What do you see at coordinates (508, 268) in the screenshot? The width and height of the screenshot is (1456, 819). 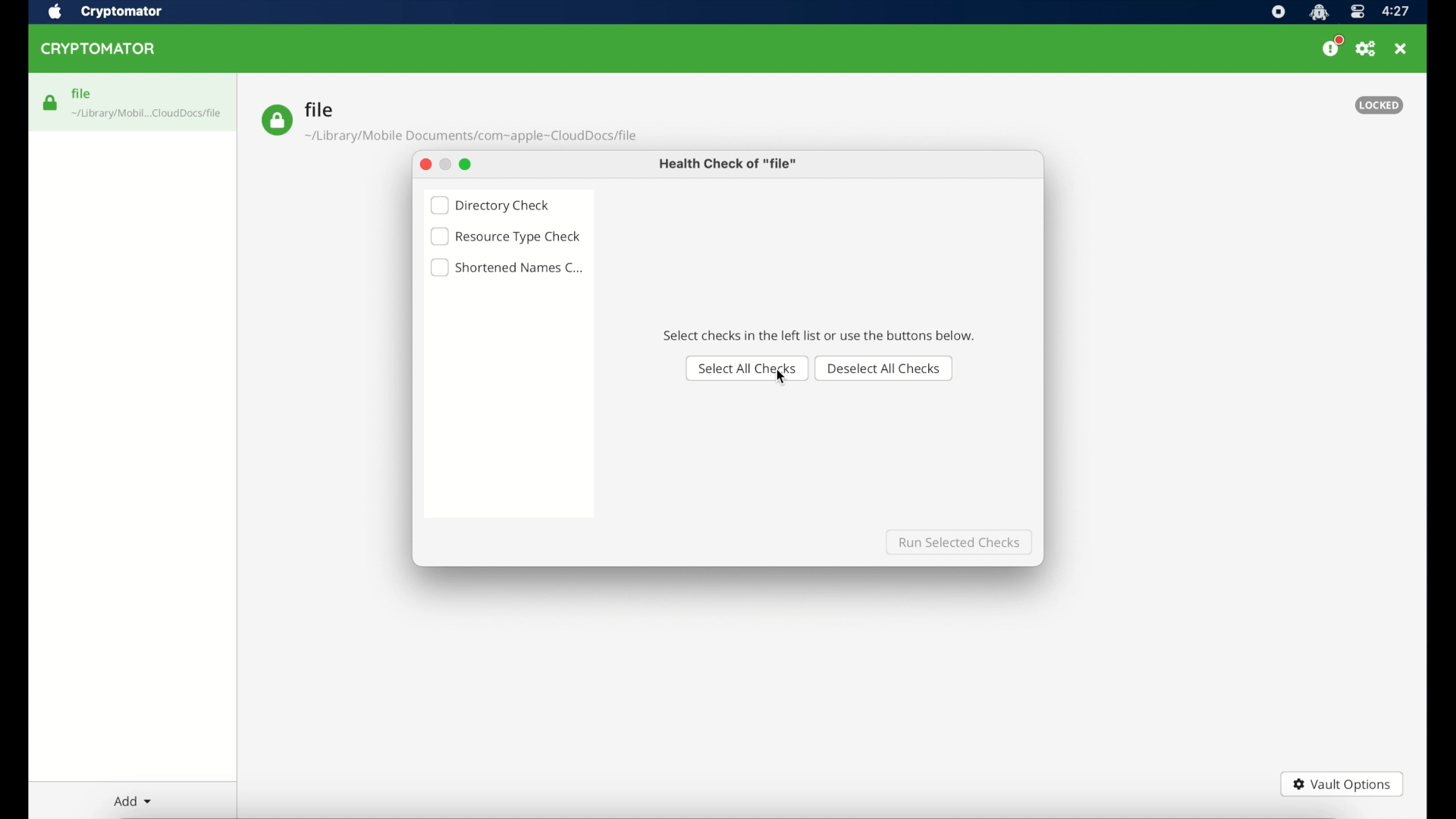 I see `shortened names` at bounding box center [508, 268].